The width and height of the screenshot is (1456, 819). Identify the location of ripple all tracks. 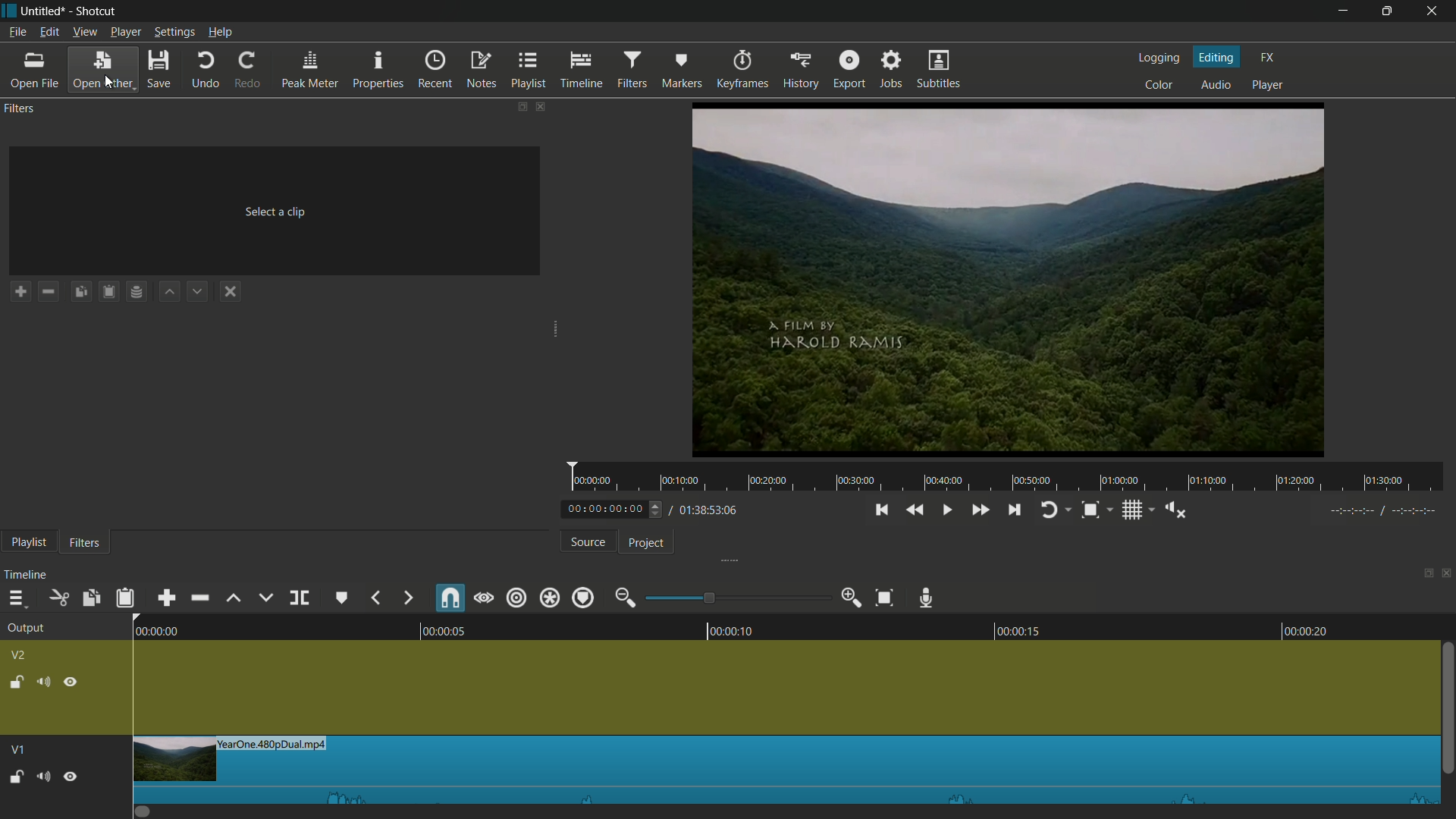
(549, 598).